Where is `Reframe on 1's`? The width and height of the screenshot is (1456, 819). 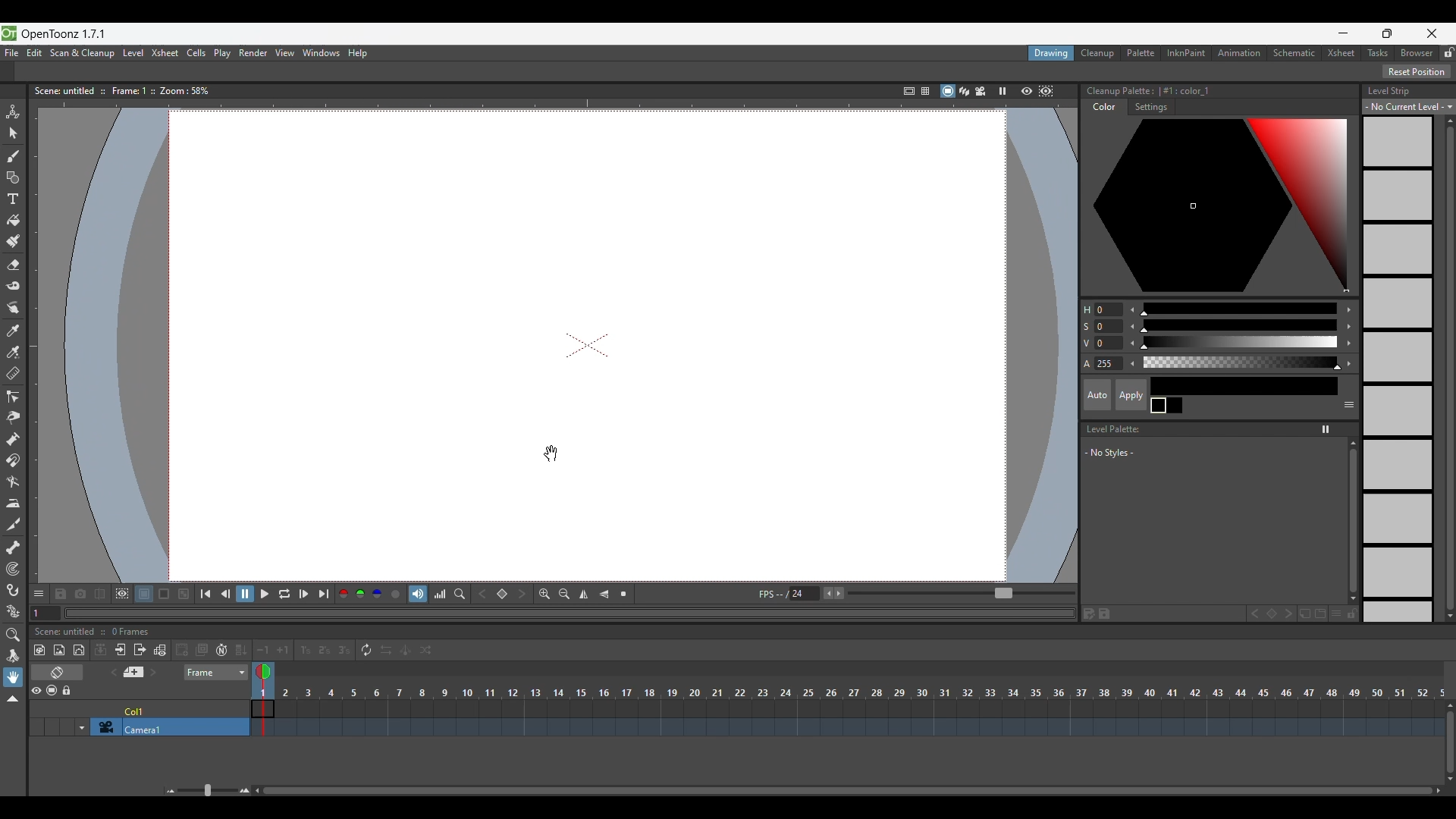 Reframe on 1's is located at coordinates (304, 650).